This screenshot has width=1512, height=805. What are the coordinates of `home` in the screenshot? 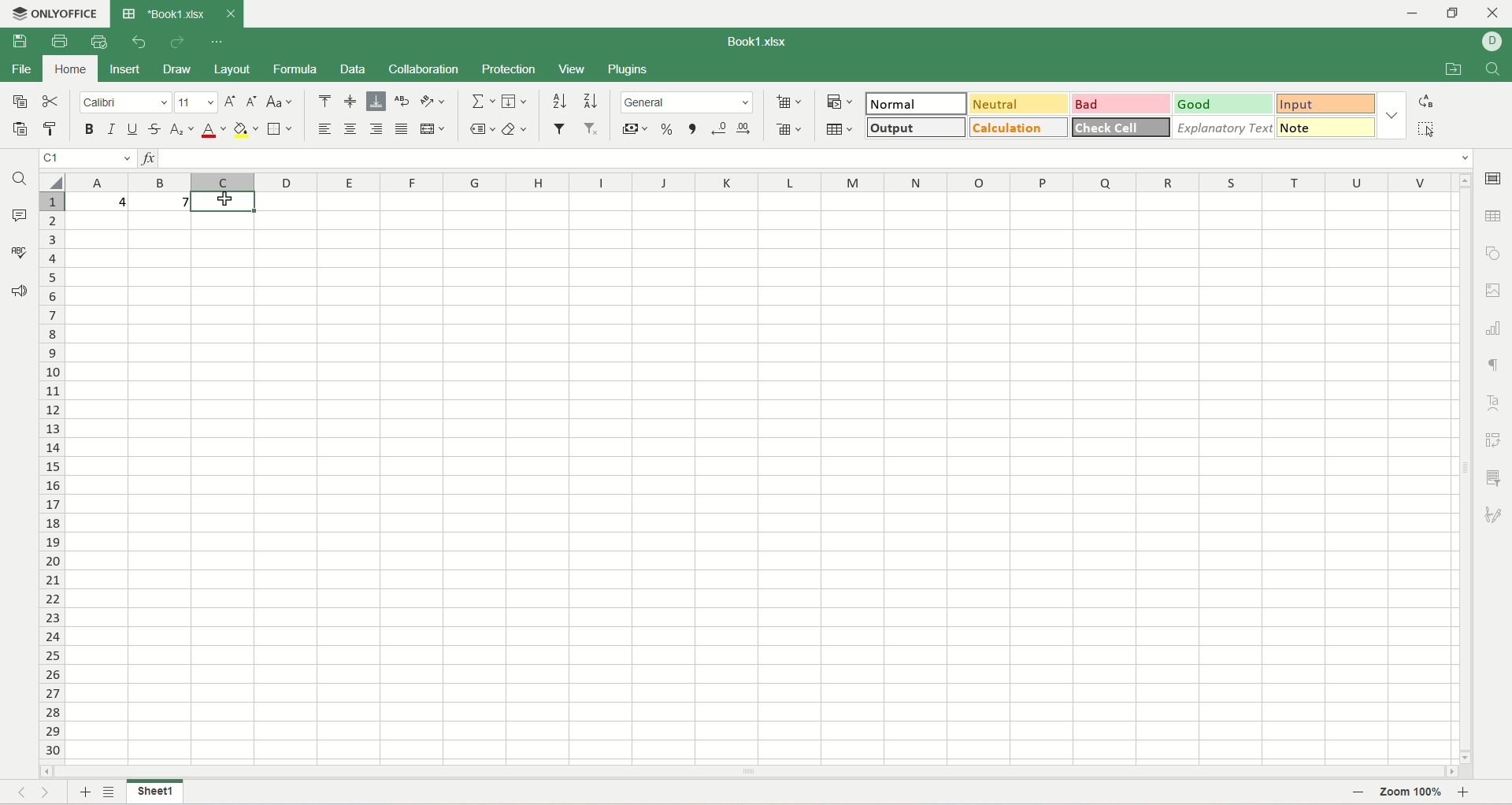 It's located at (69, 69).